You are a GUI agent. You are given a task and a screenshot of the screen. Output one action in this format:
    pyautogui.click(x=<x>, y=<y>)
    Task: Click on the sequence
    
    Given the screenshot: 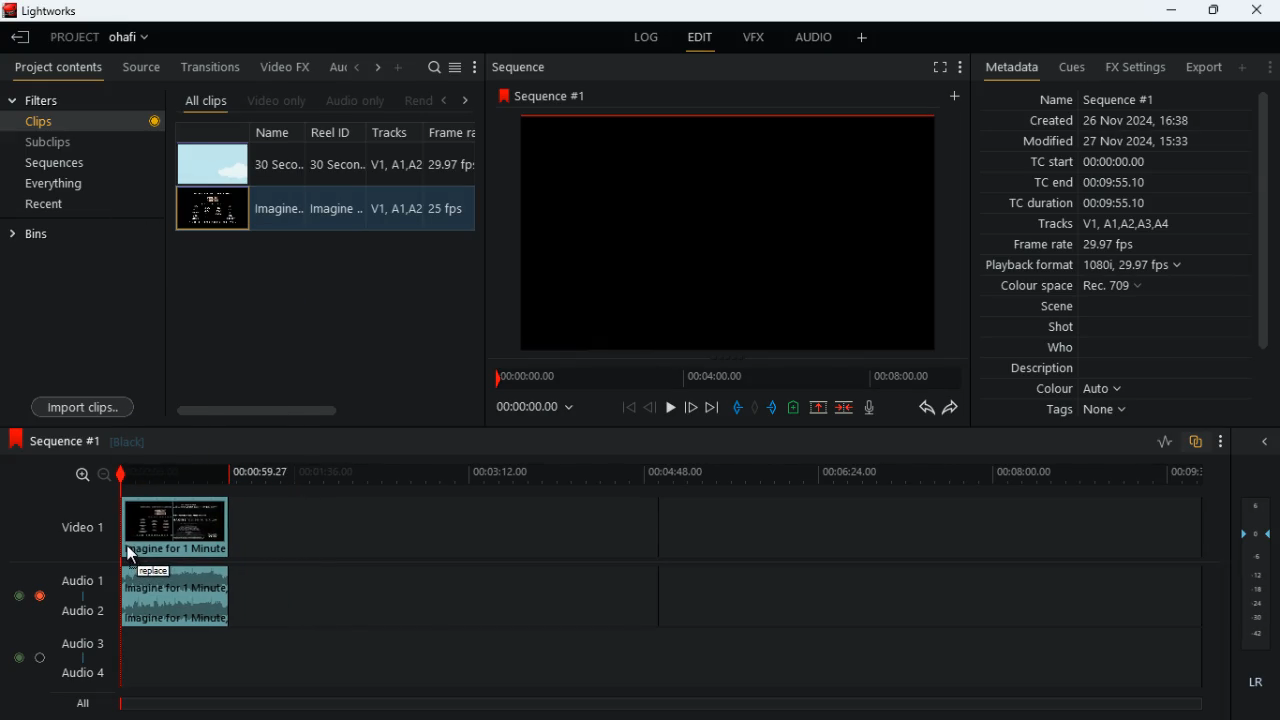 What is the action you would take?
    pyautogui.click(x=548, y=96)
    